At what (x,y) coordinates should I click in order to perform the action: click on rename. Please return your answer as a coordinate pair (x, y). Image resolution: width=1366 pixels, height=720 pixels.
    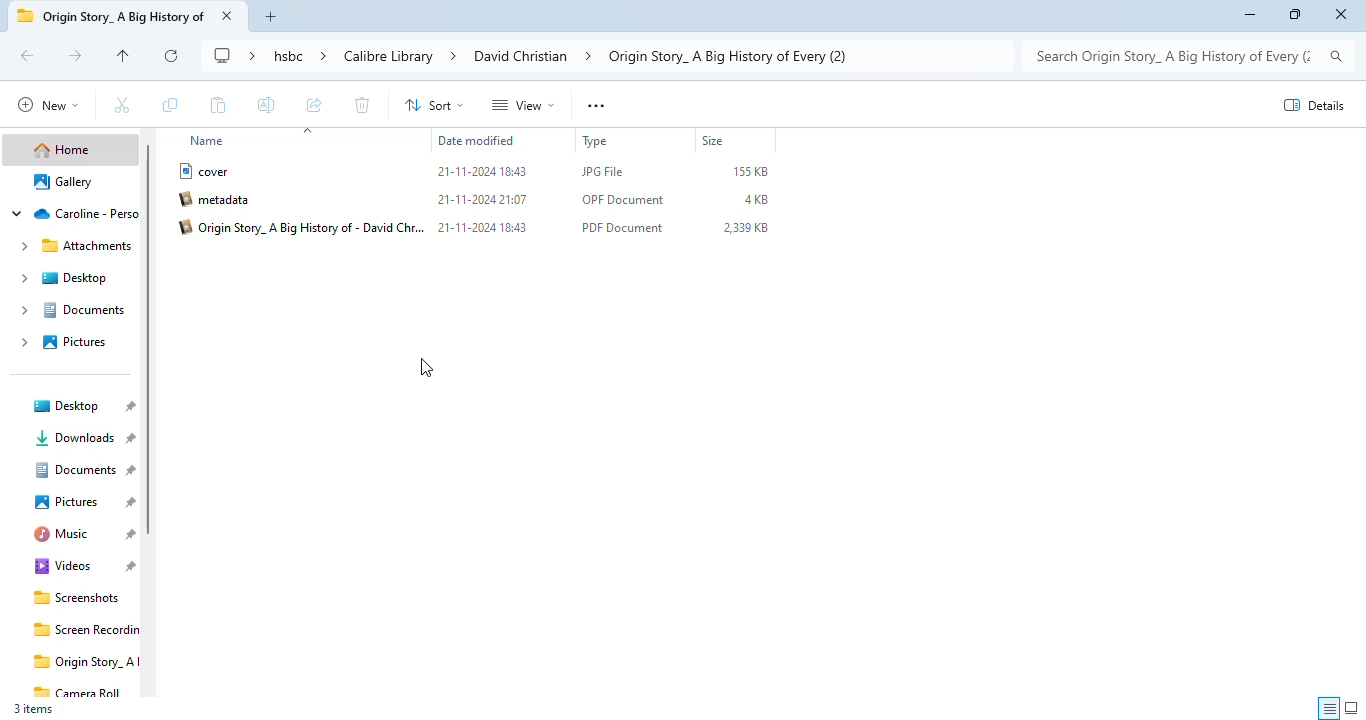
    Looking at the image, I should click on (266, 104).